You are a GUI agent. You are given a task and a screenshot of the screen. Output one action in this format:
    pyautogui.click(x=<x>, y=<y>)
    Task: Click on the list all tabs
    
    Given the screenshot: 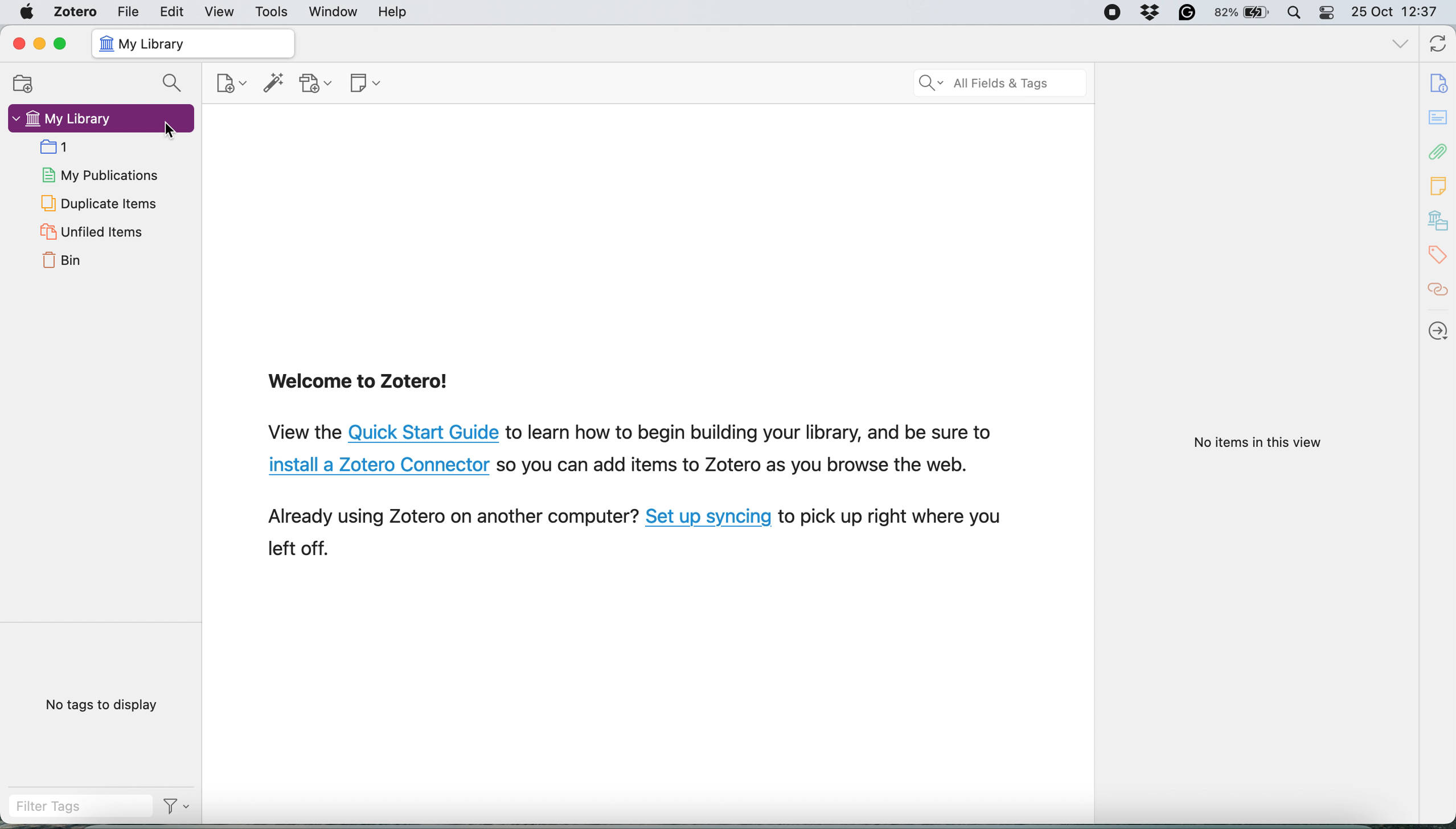 What is the action you would take?
    pyautogui.click(x=1400, y=44)
    